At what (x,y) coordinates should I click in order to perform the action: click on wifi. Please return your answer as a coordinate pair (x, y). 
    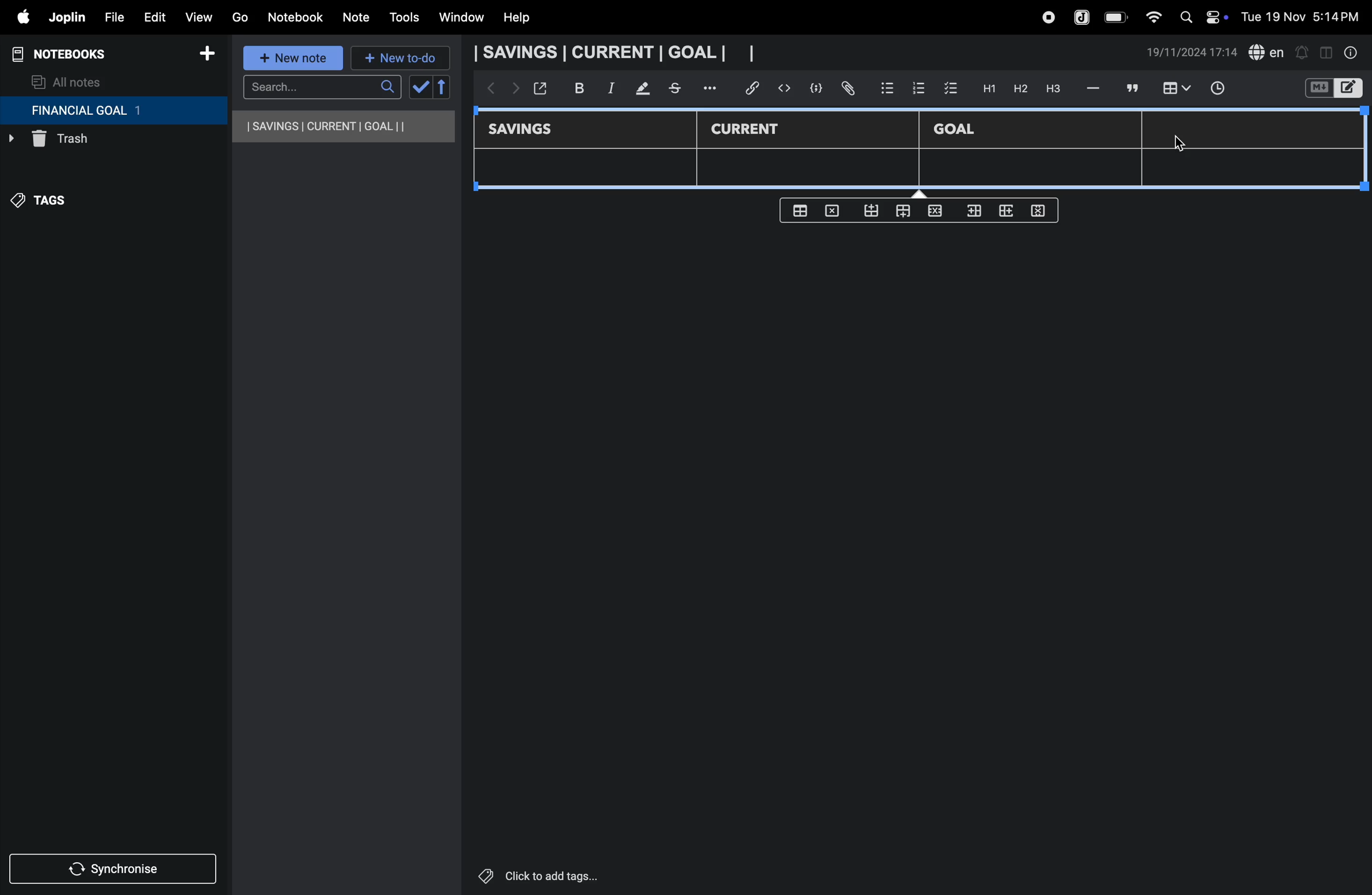
    Looking at the image, I should click on (1150, 17).